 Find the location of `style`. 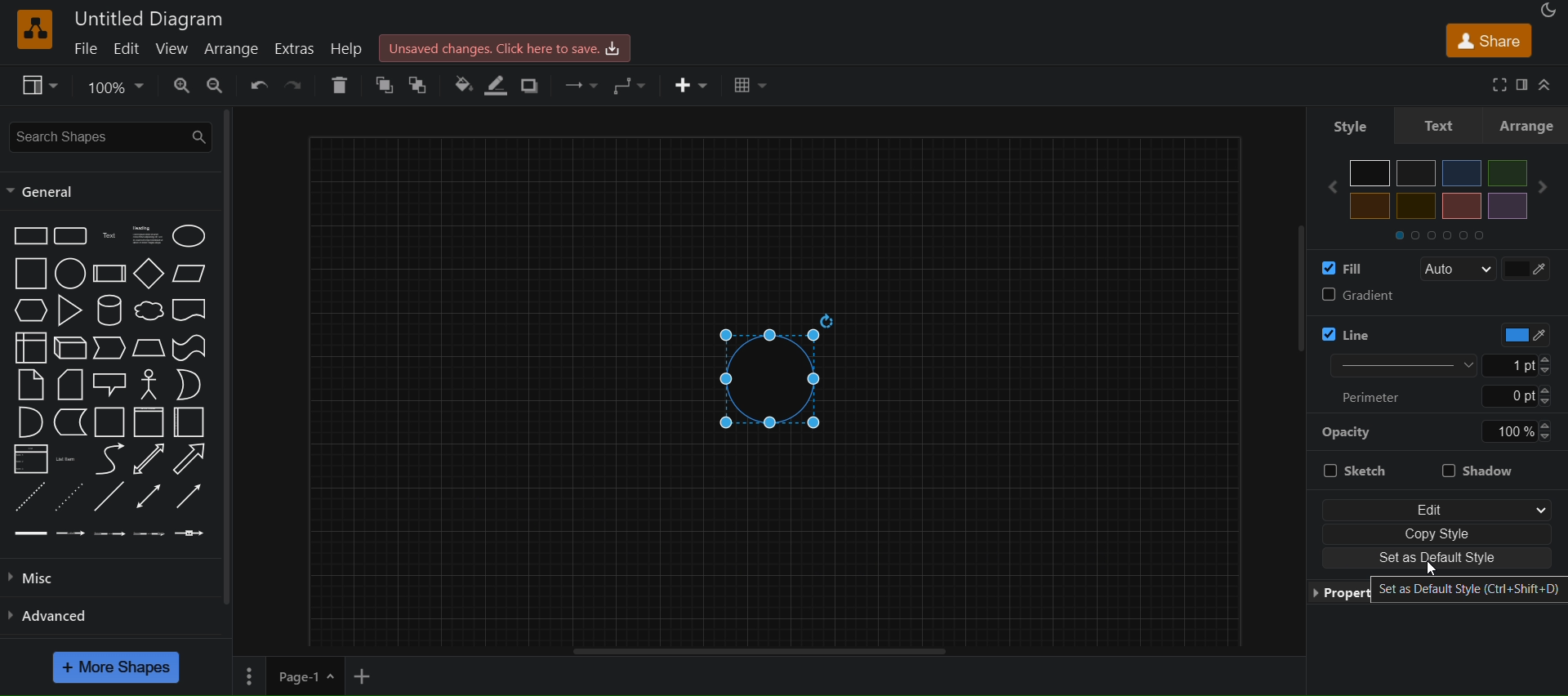

style is located at coordinates (1344, 124).